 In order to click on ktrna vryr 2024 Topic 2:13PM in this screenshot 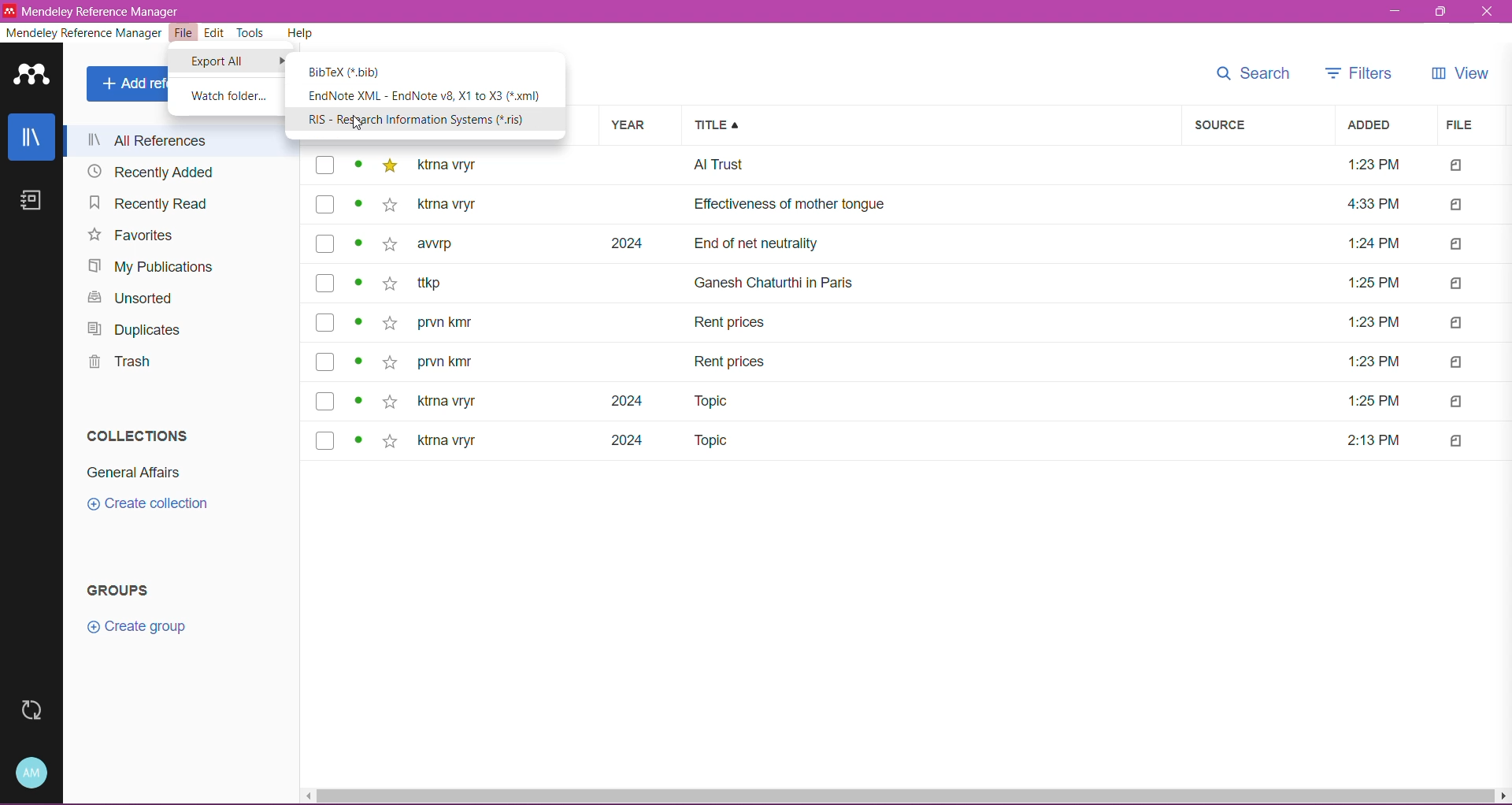, I will do `click(909, 441)`.